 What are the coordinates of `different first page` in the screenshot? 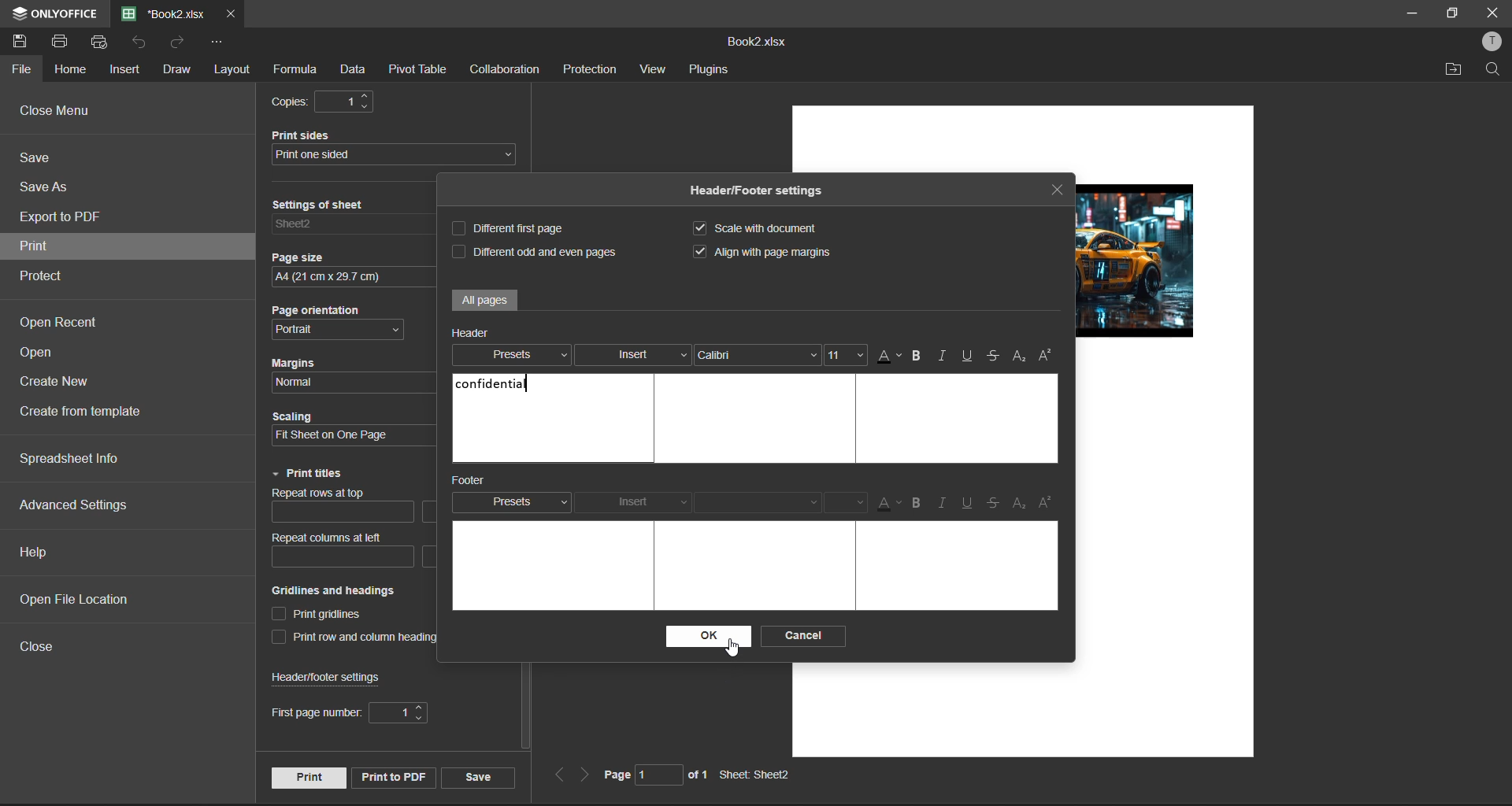 It's located at (513, 229).